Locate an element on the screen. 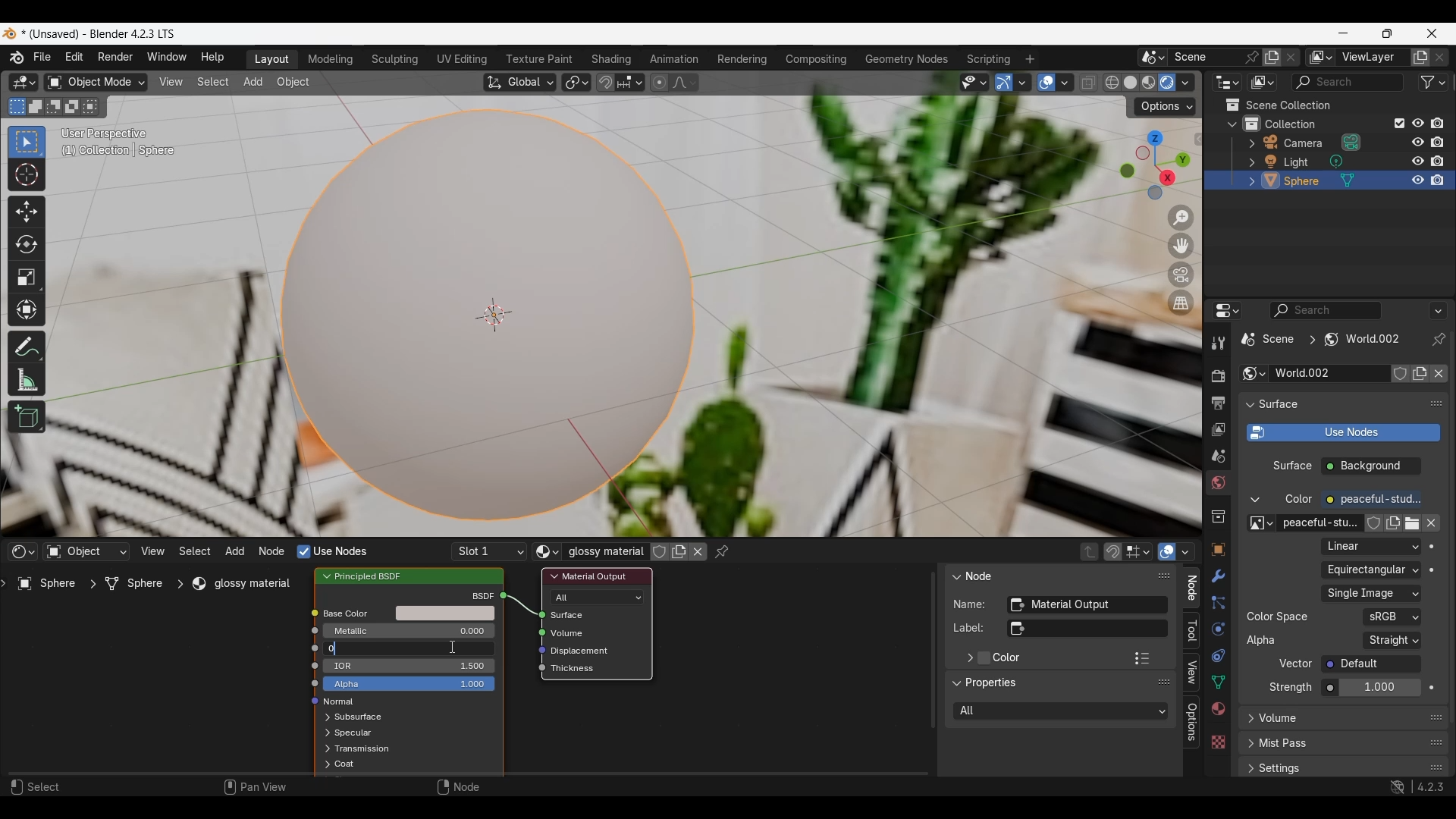 Image resolution: width=1456 pixels, height=819 pixels. User perspective is located at coordinates (106, 133).